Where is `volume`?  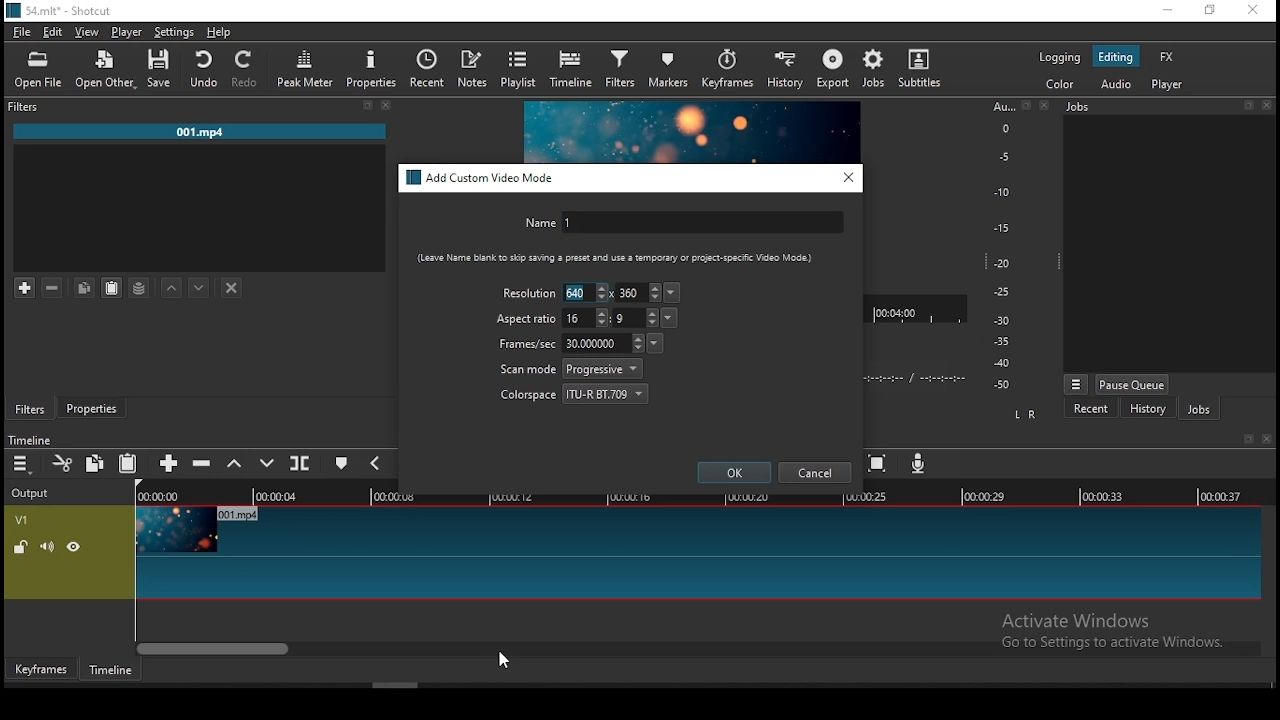
volume is located at coordinates (47, 546).